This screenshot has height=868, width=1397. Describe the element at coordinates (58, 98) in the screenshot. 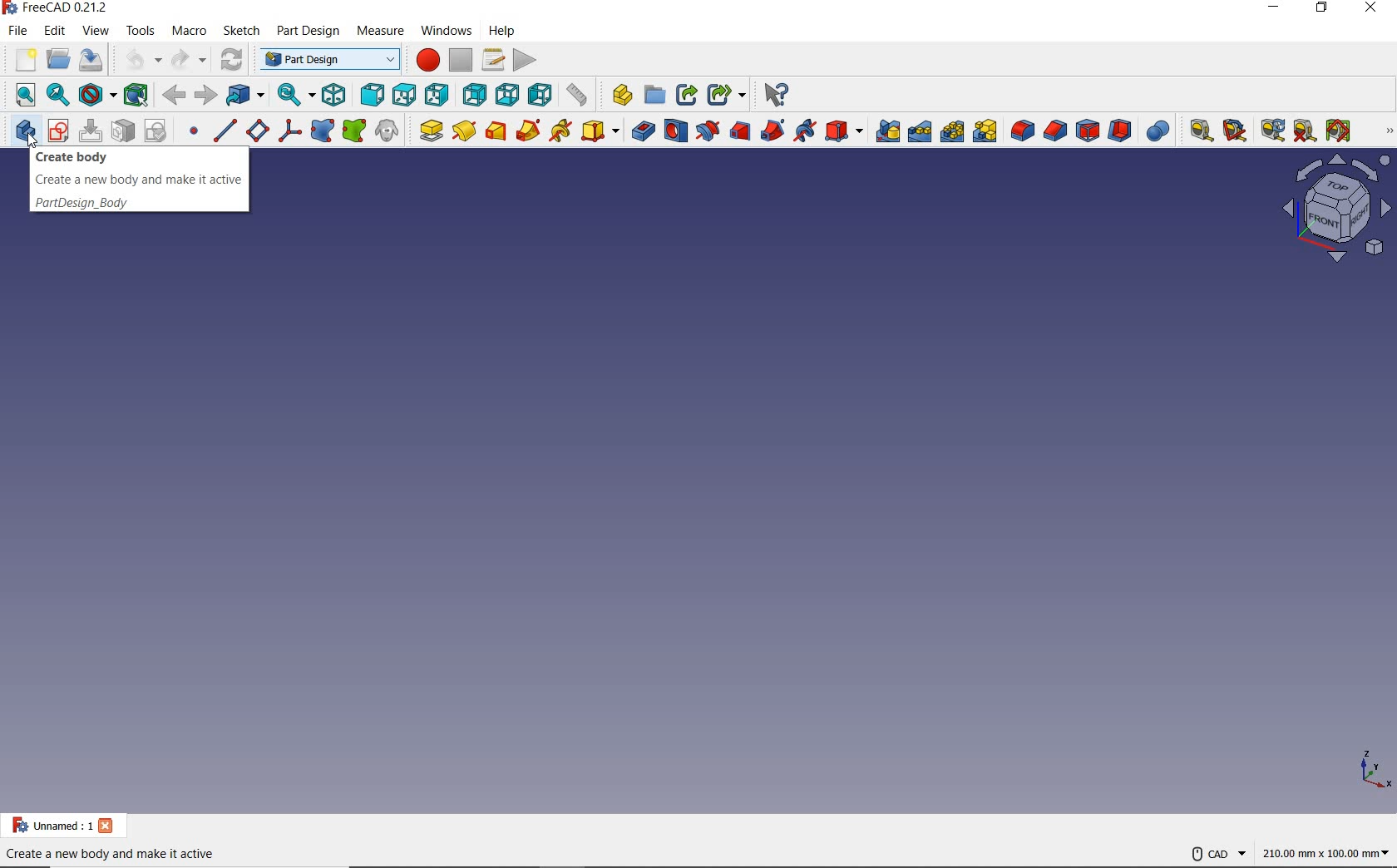

I see `fit selection` at that location.